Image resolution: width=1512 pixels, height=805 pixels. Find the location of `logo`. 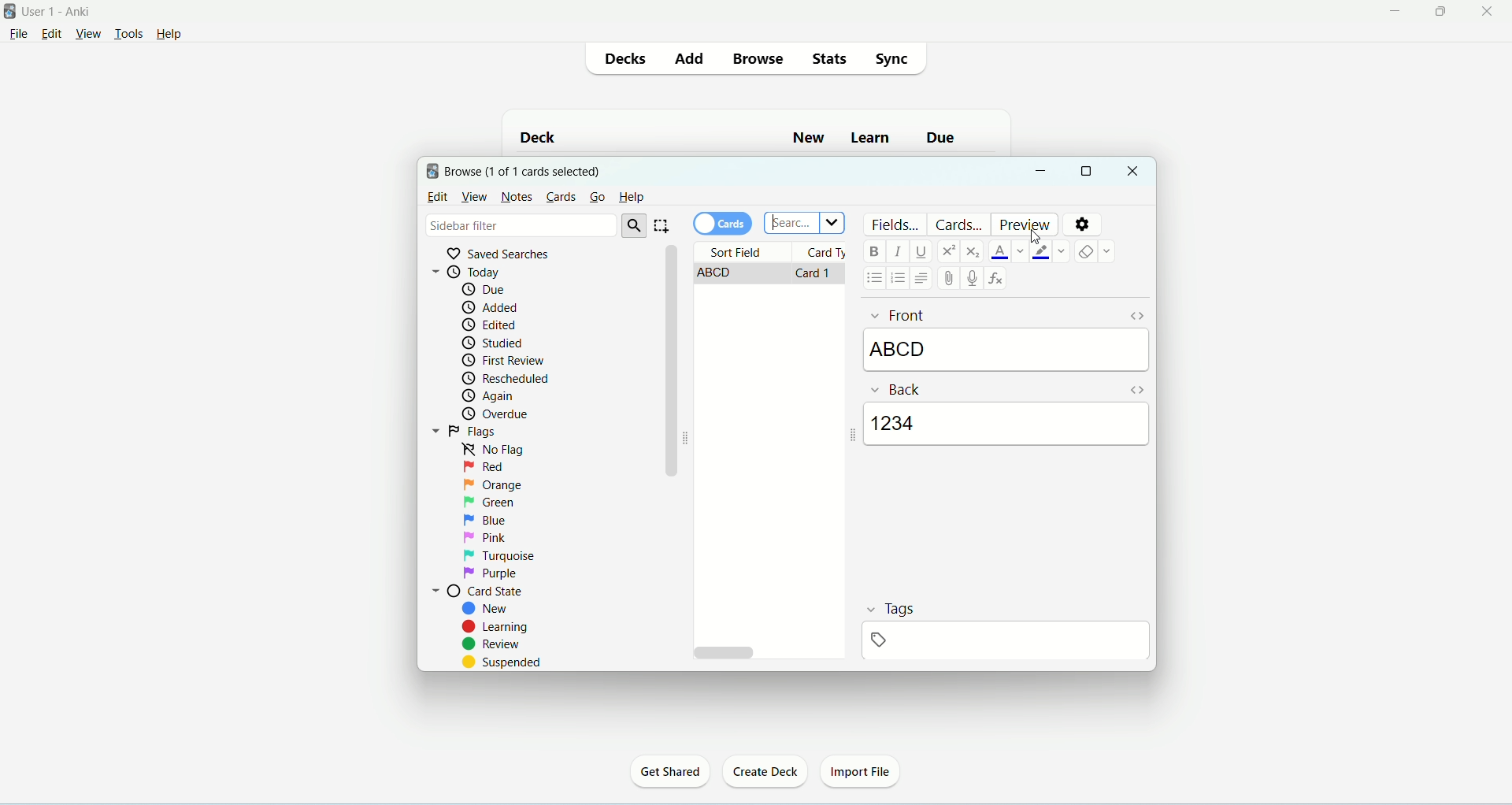

logo is located at coordinates (432, 171).